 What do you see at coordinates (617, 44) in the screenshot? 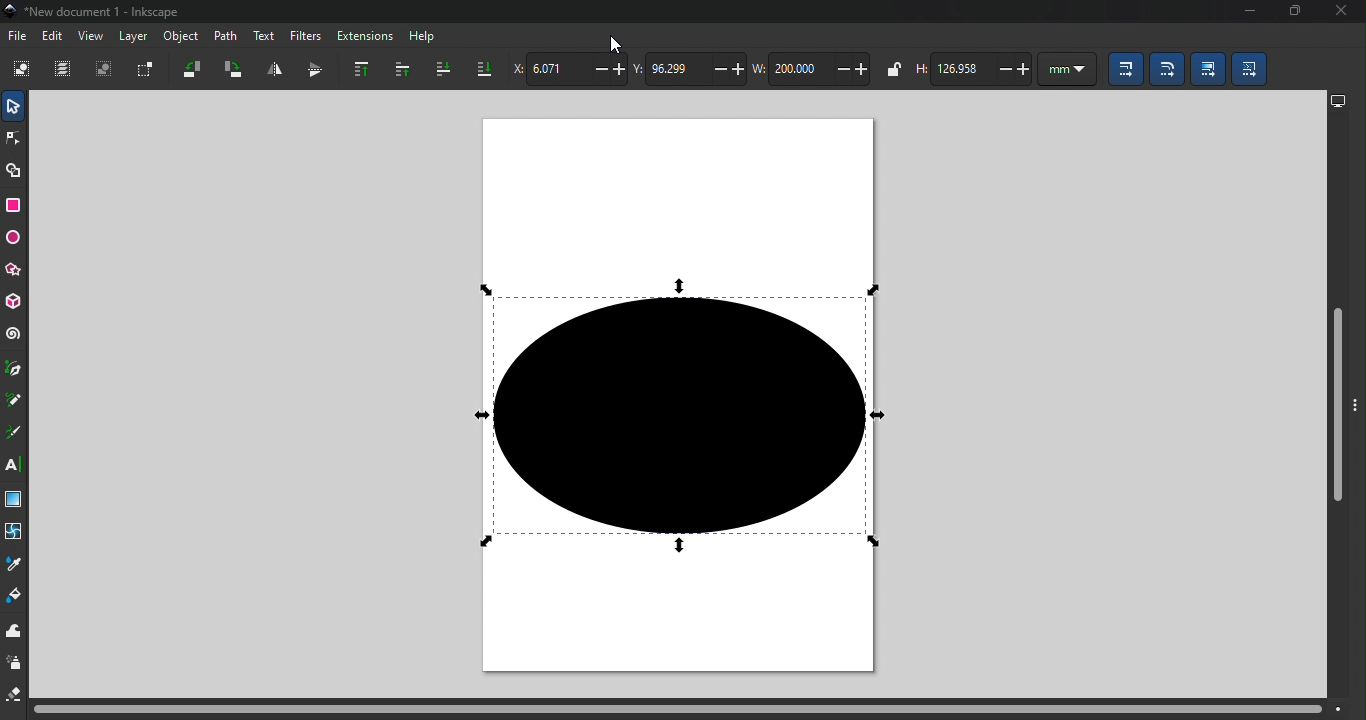
I see `Cursor` at bounding box center [617, 44].